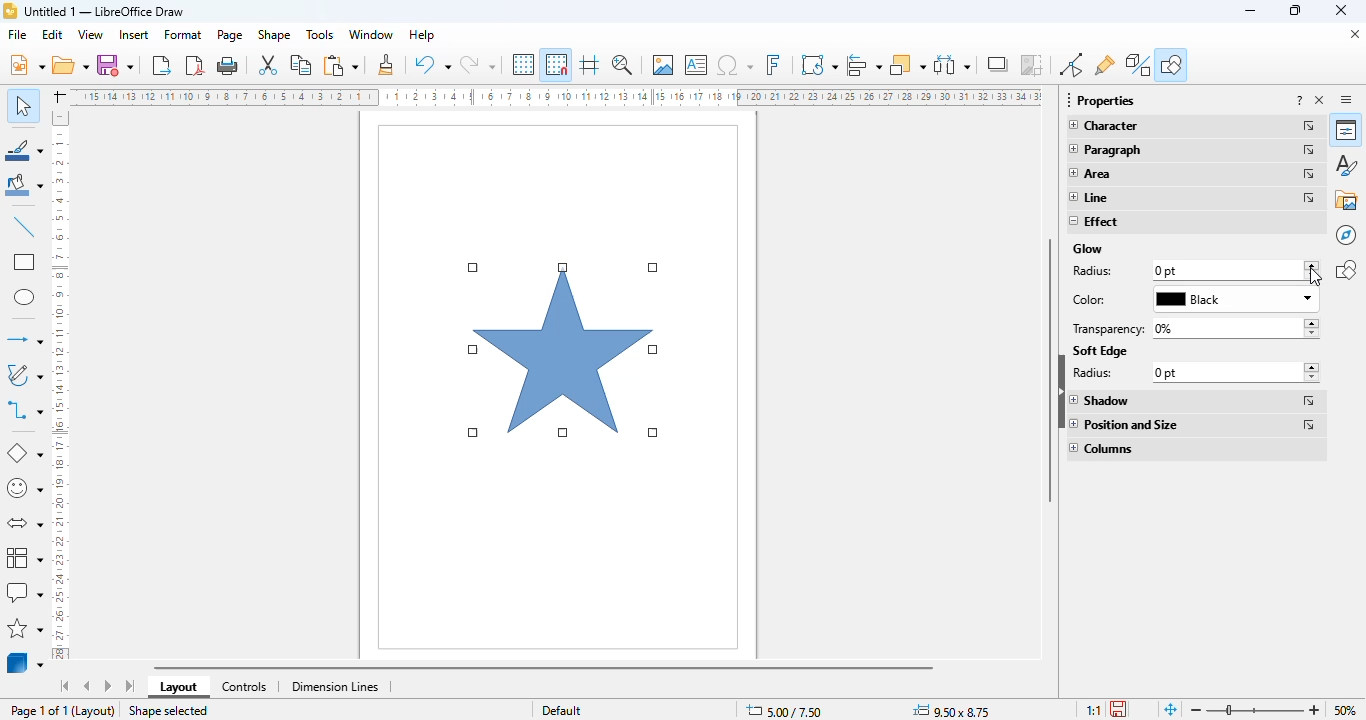 The width and height of the screenshot is (1366, 720). What do you see at coordinates (432, 64) in the screenshot?
I see `undo` at bounding box center [432, 64].